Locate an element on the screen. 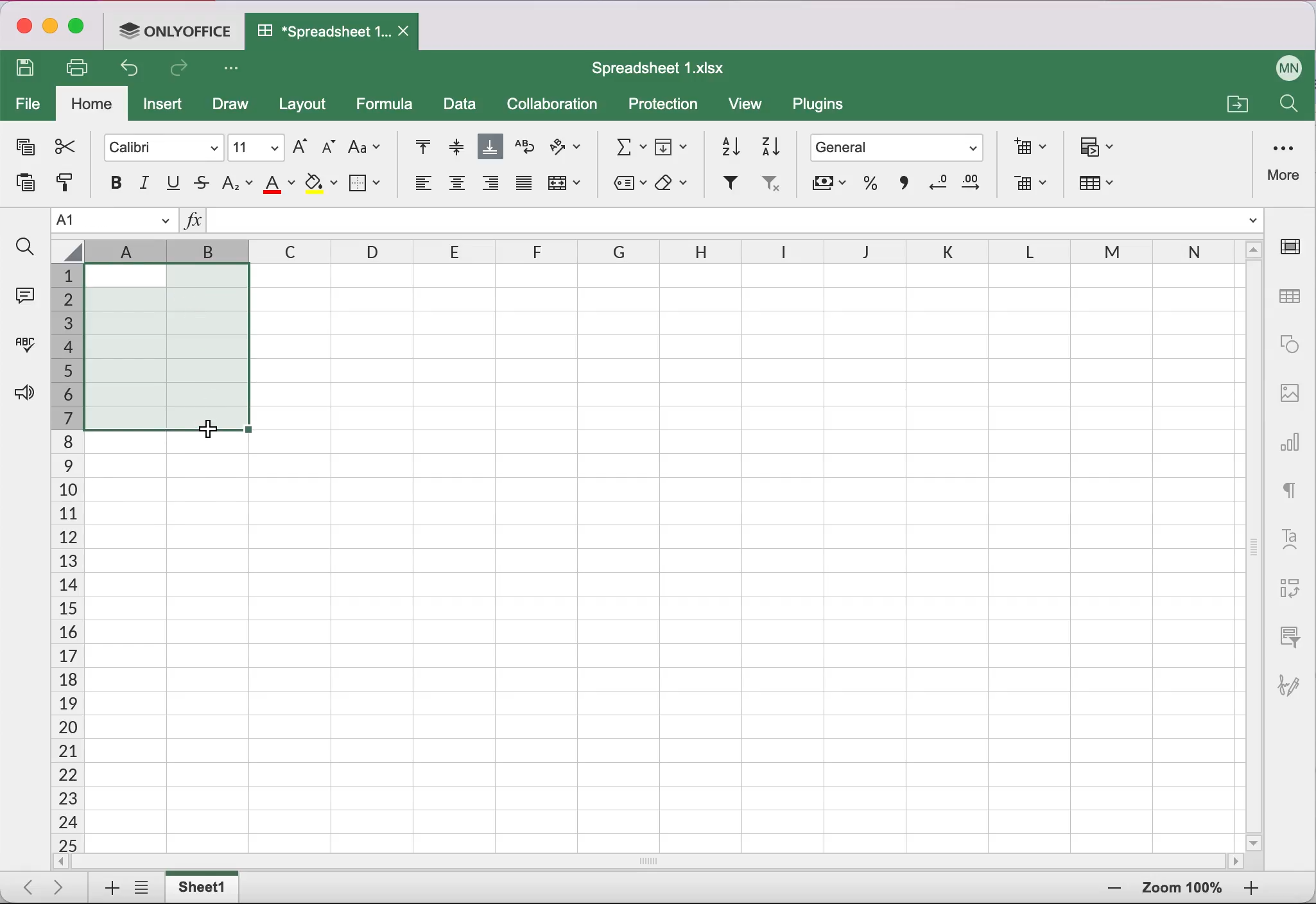  Scroll to first sheet is located at coordinates (24, 883).